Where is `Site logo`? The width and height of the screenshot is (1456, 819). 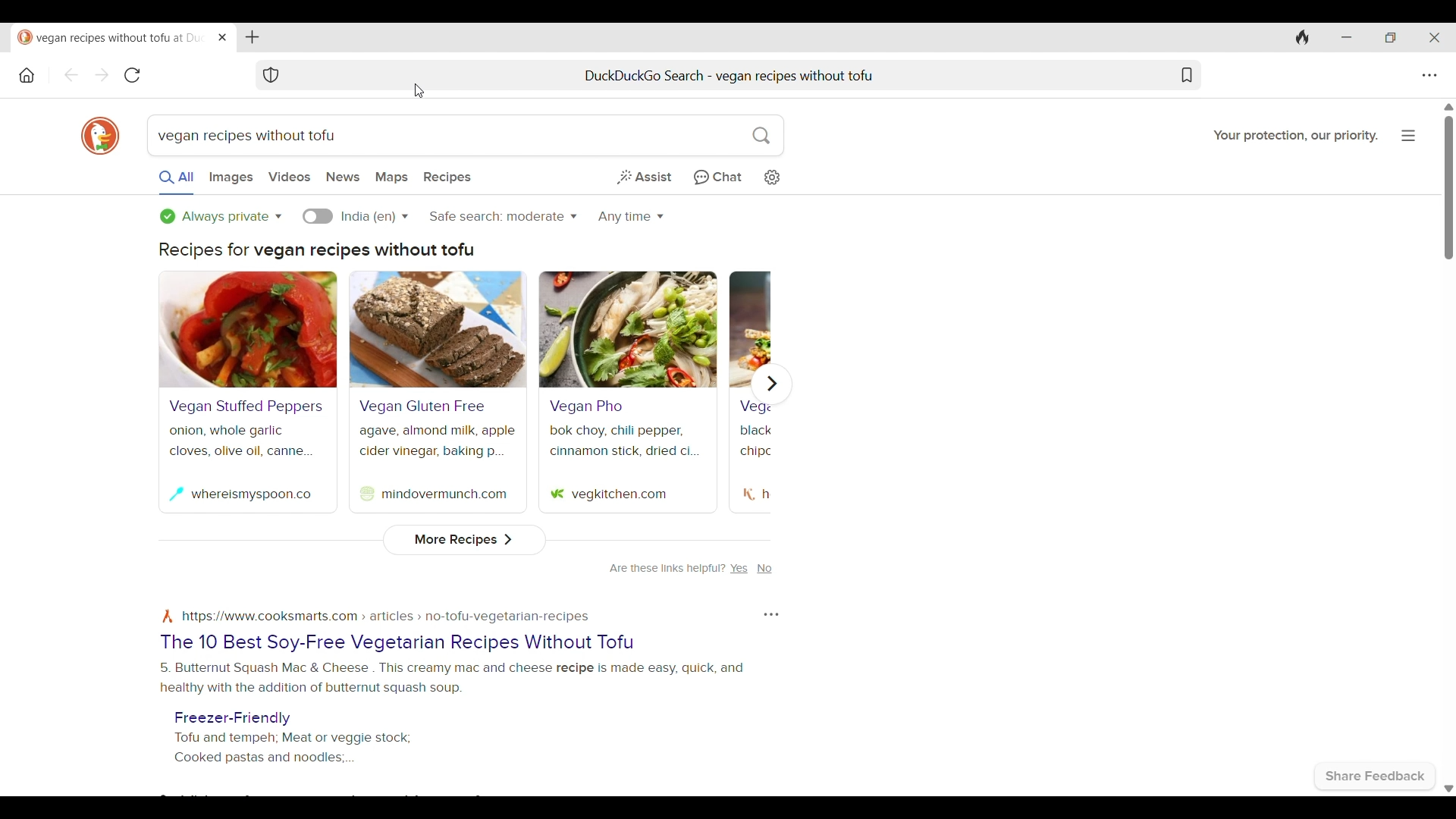 Site logo is located at coordinates (366, 494).